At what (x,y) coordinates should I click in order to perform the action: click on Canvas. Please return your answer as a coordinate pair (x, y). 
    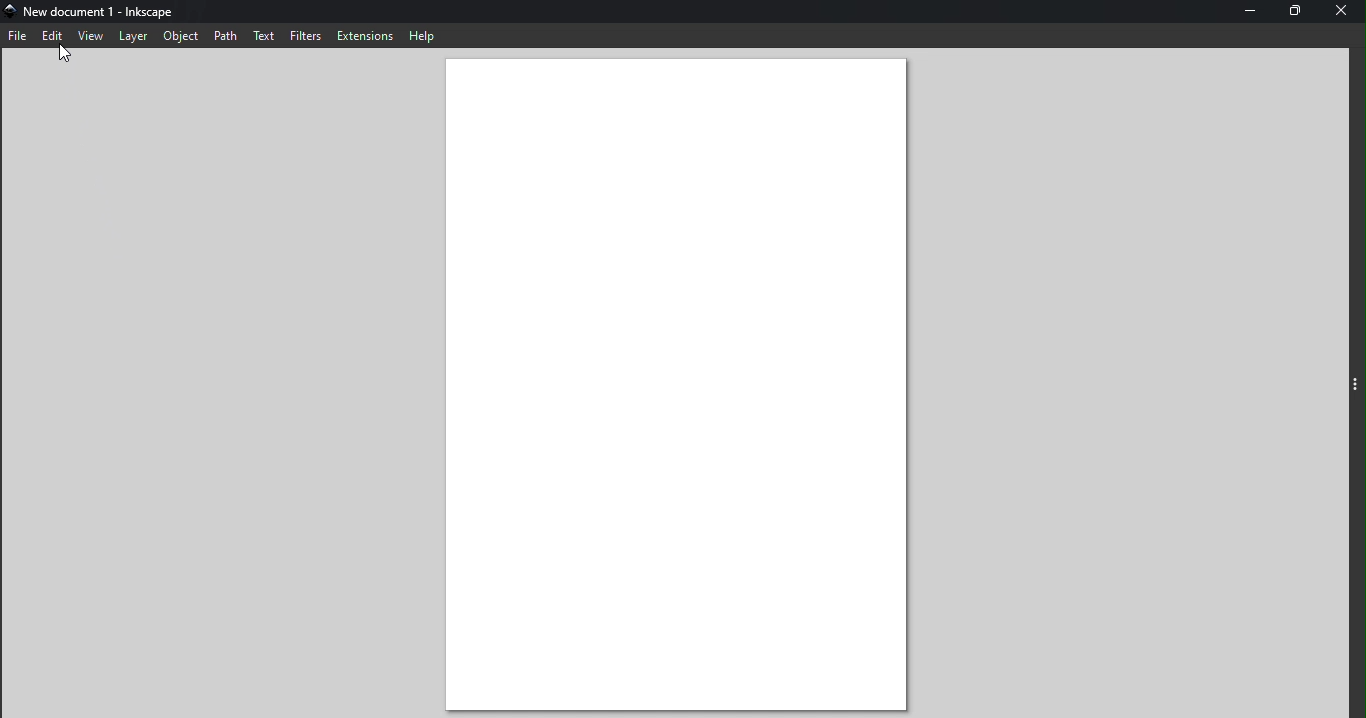
    Looking at the image, I should click on (690, 383).